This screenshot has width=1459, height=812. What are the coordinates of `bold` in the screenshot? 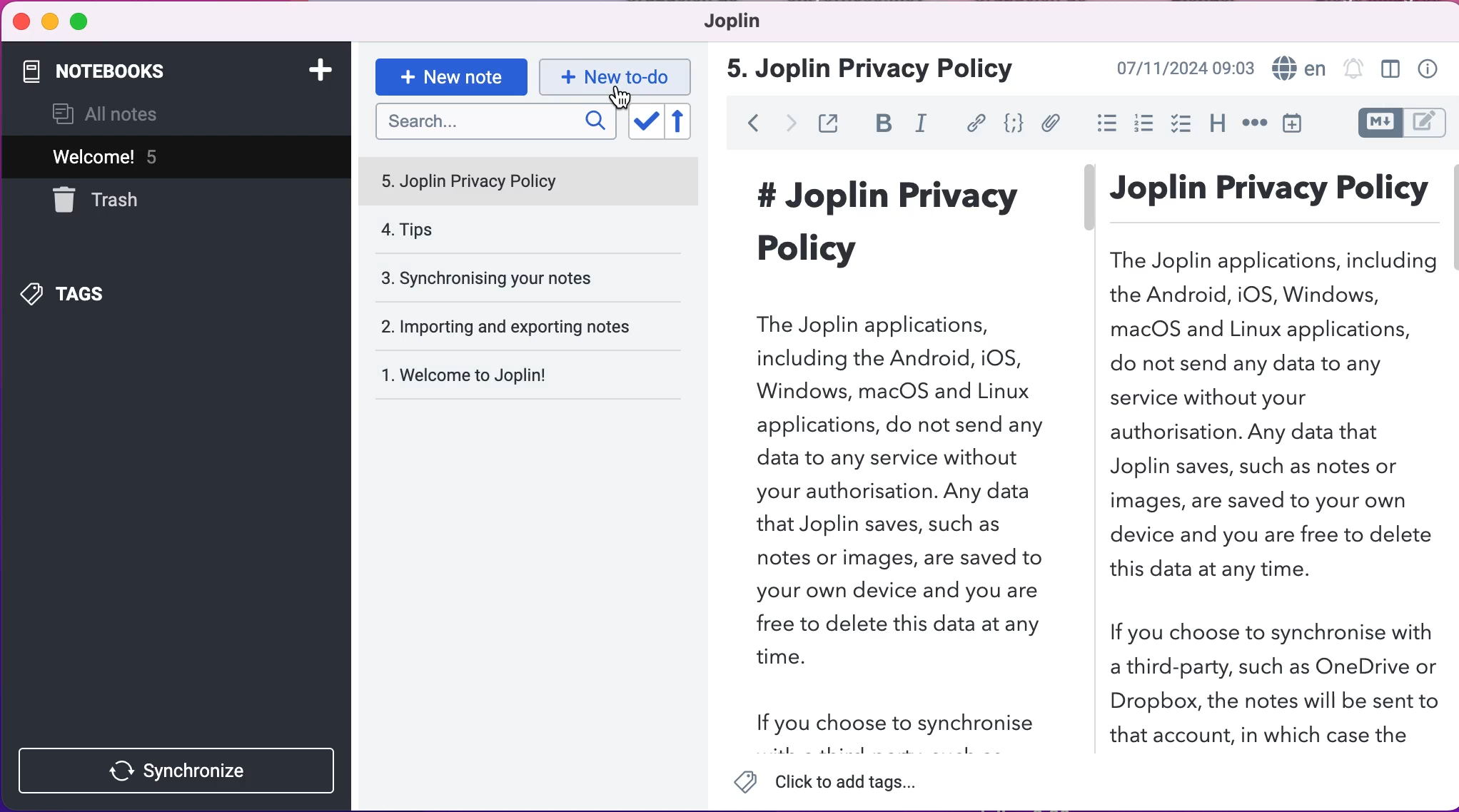 It's located at (880, 126).